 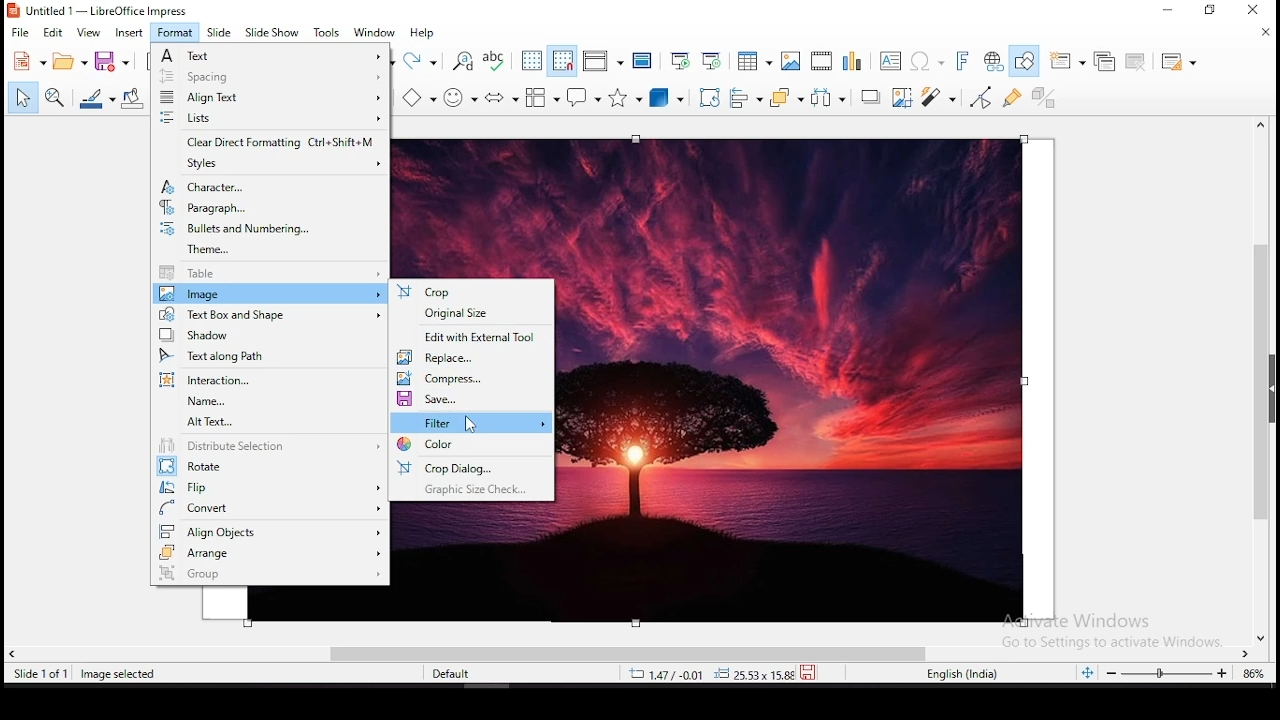 I want to click on spell check, so click(x=496, y=59).